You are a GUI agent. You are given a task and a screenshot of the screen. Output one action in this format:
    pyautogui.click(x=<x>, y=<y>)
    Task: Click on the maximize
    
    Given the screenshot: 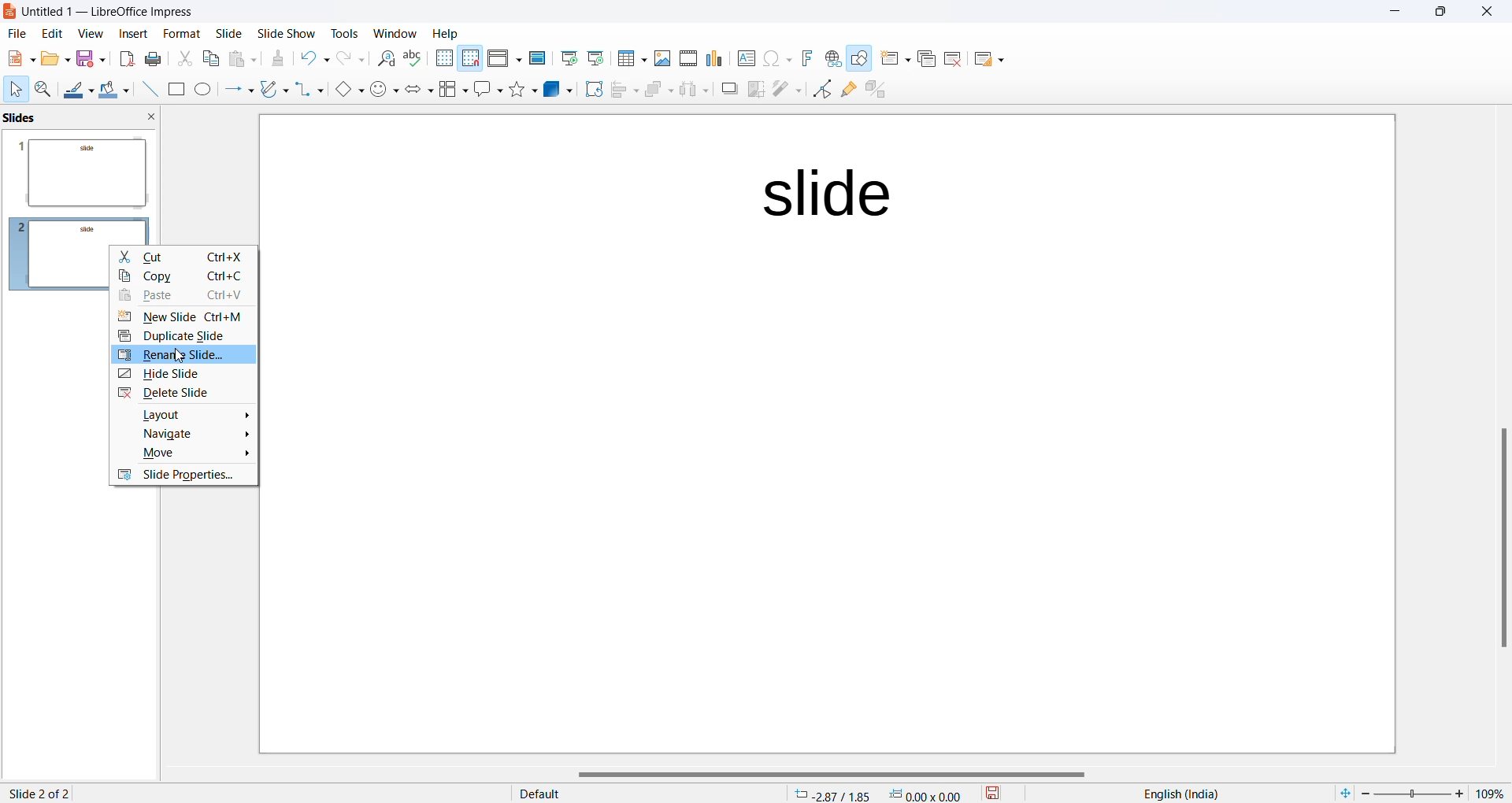 What is the action you would take?
    pyautogui.click(x=1442, y=15)
    